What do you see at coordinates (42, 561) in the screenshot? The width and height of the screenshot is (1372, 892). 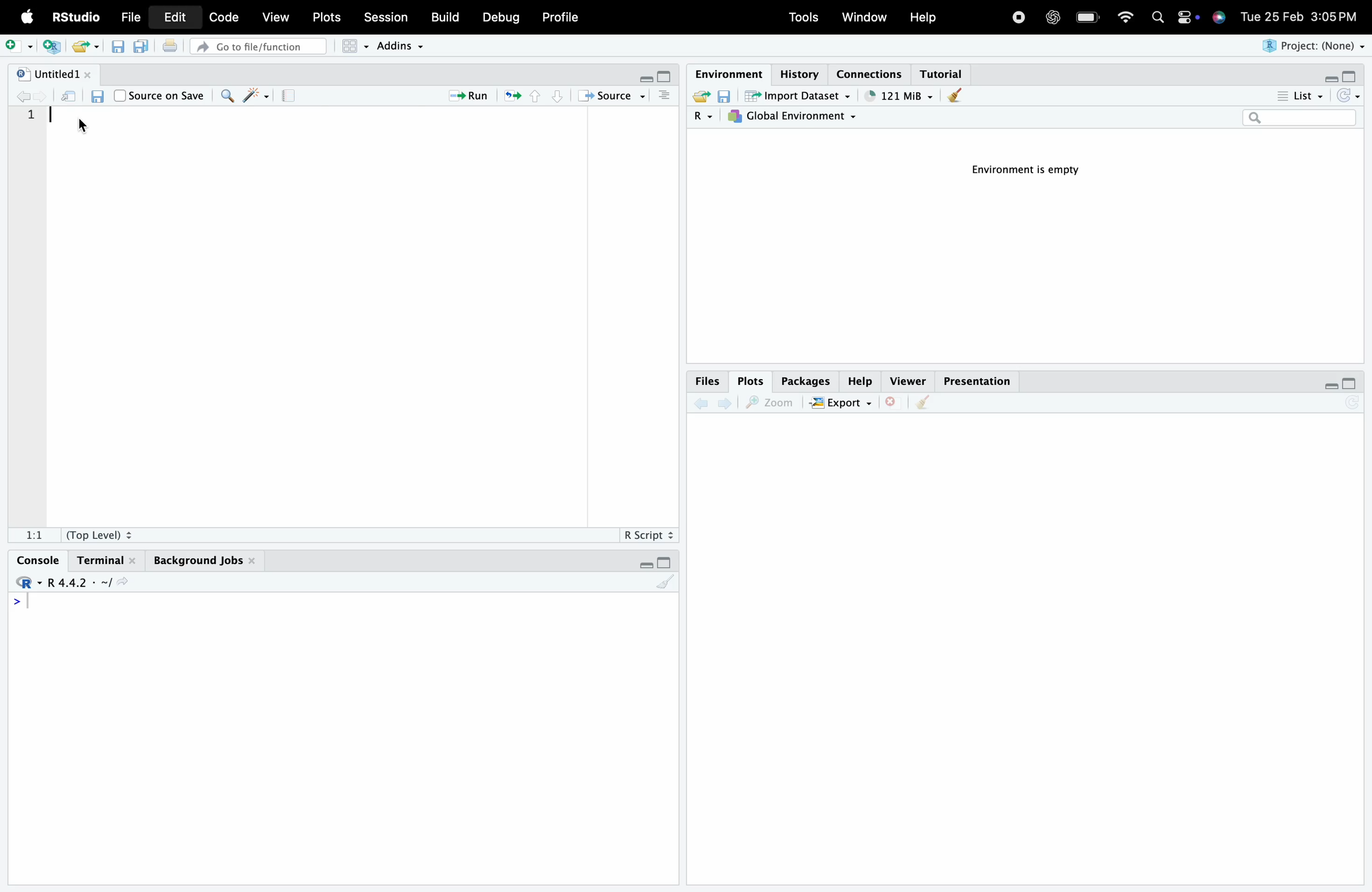 I see `Console` at bounding box center [42, 561].